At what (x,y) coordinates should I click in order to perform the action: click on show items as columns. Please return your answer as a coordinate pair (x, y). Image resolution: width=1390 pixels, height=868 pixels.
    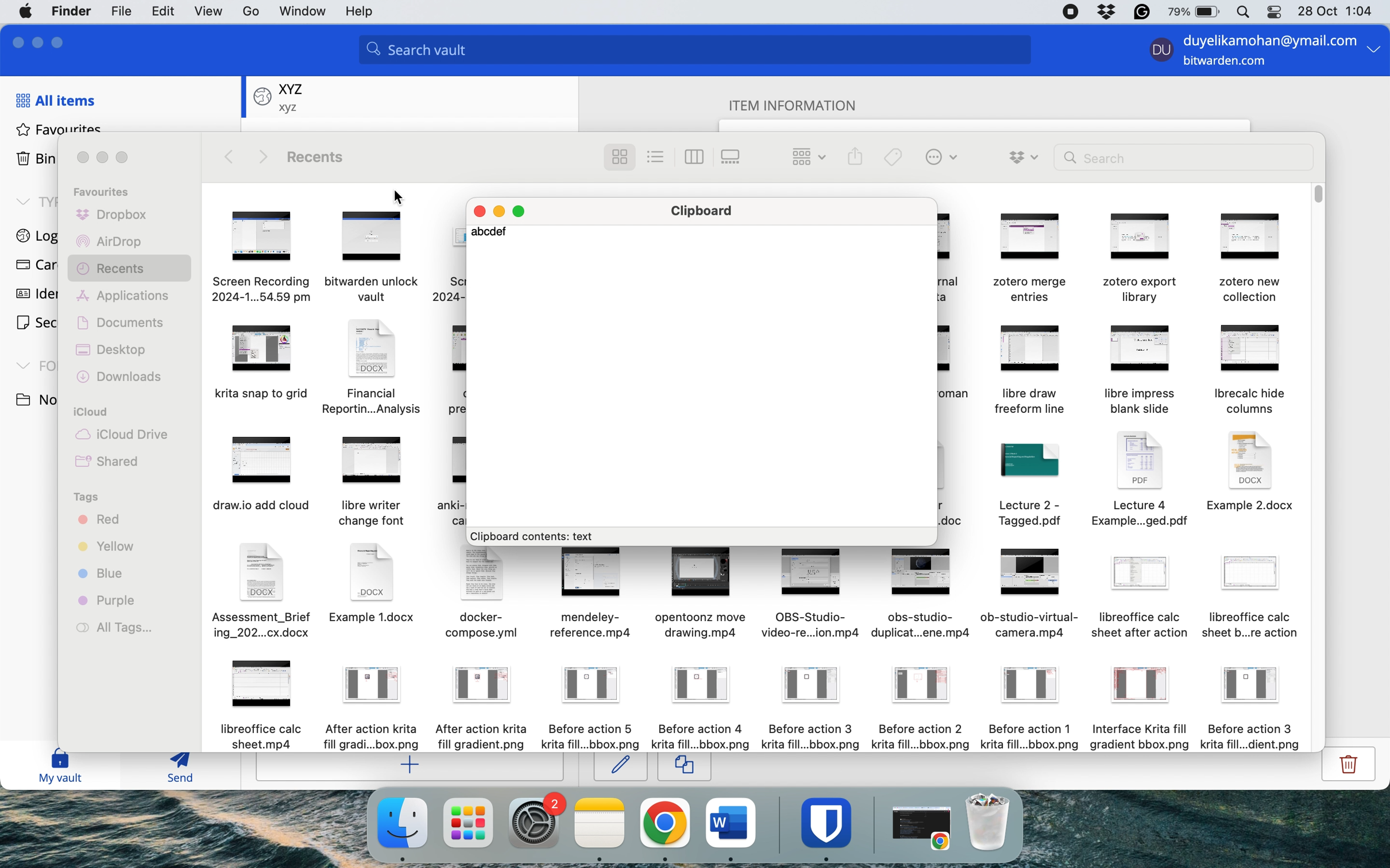
    Looking at the image, I should click on (695, 156).